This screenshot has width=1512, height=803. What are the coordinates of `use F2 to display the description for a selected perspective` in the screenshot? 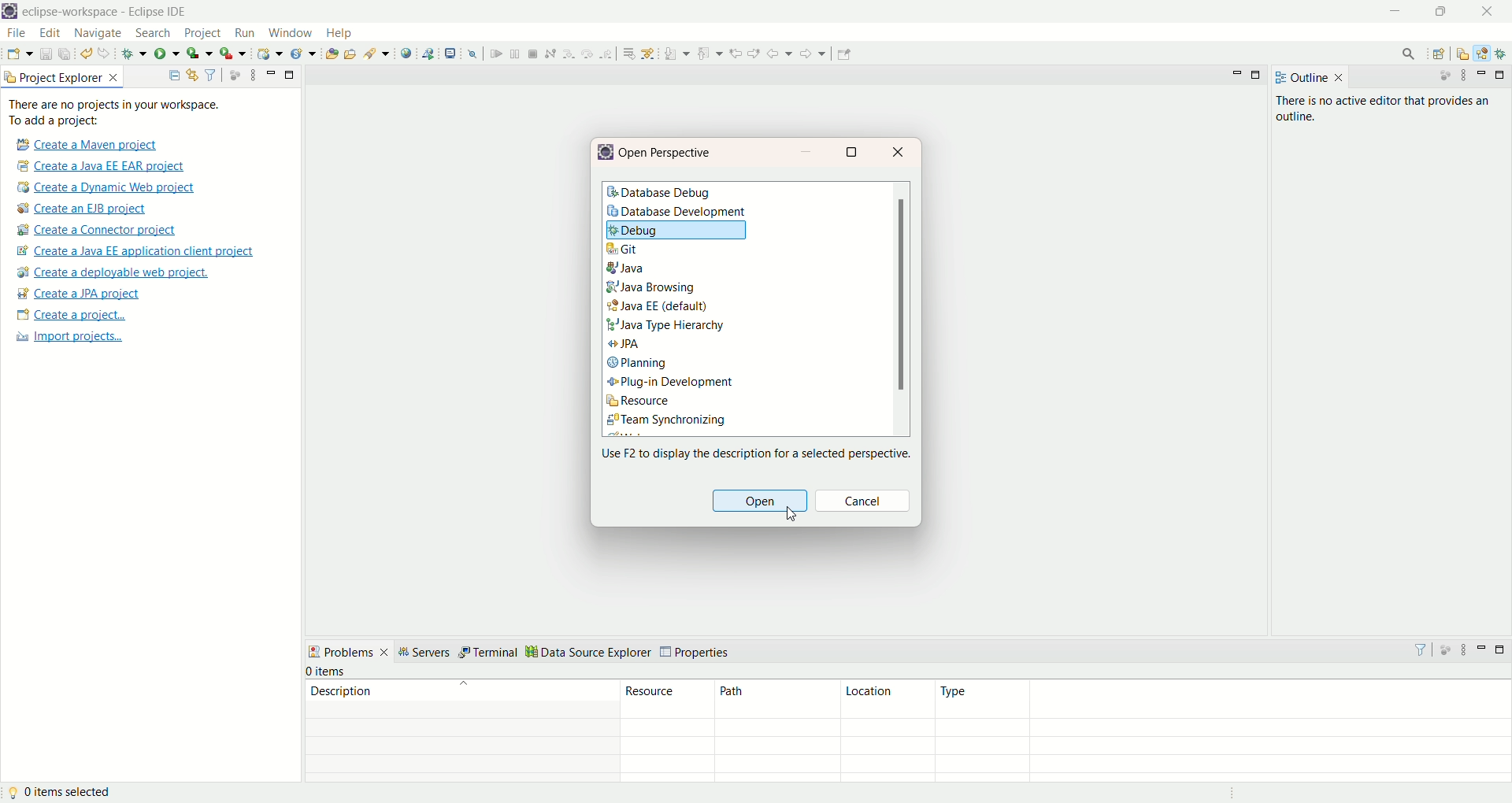 It's located at (754, 451).